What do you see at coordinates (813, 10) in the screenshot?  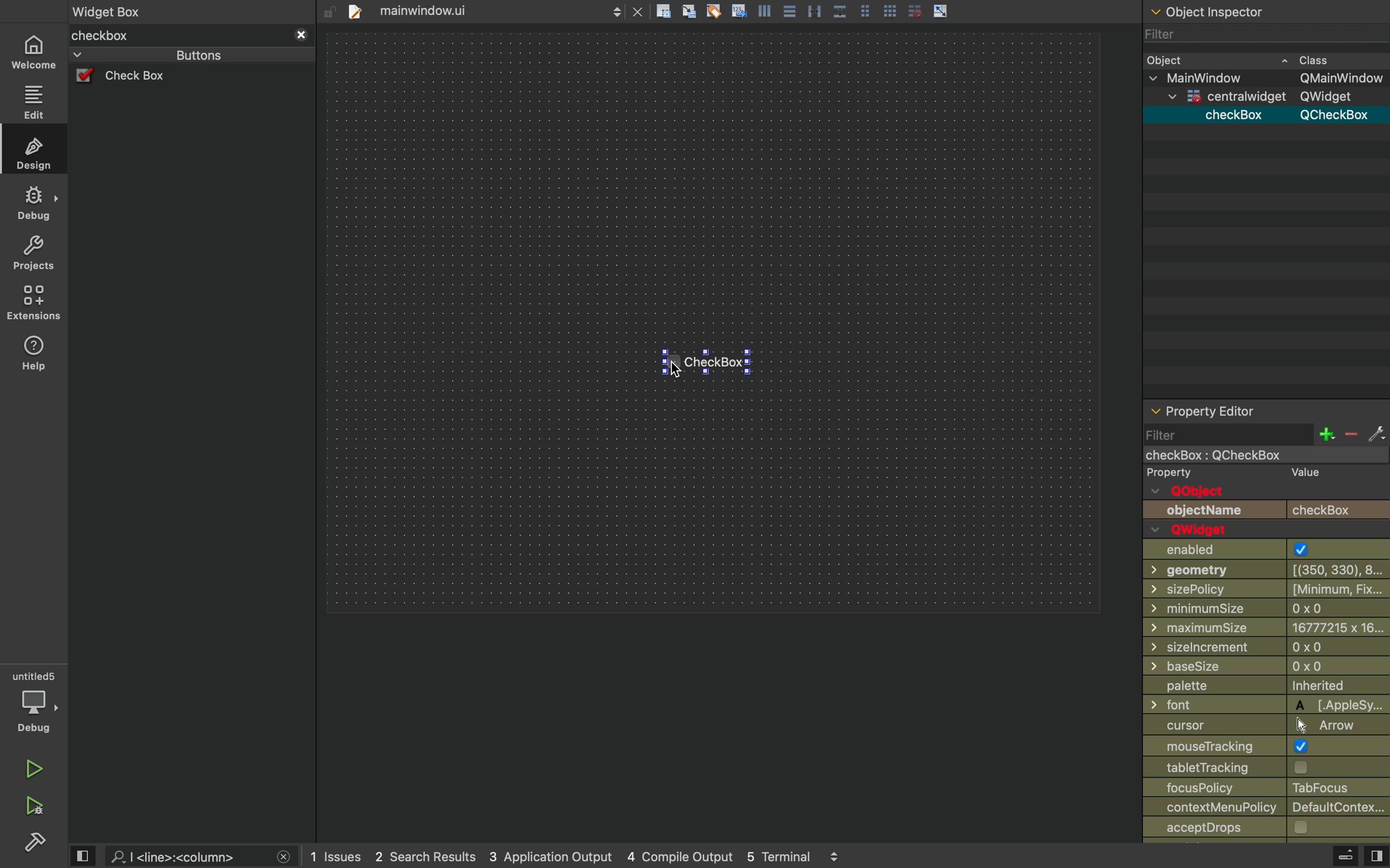 I see `distribute horizontally` at bounding box center [813, 10].